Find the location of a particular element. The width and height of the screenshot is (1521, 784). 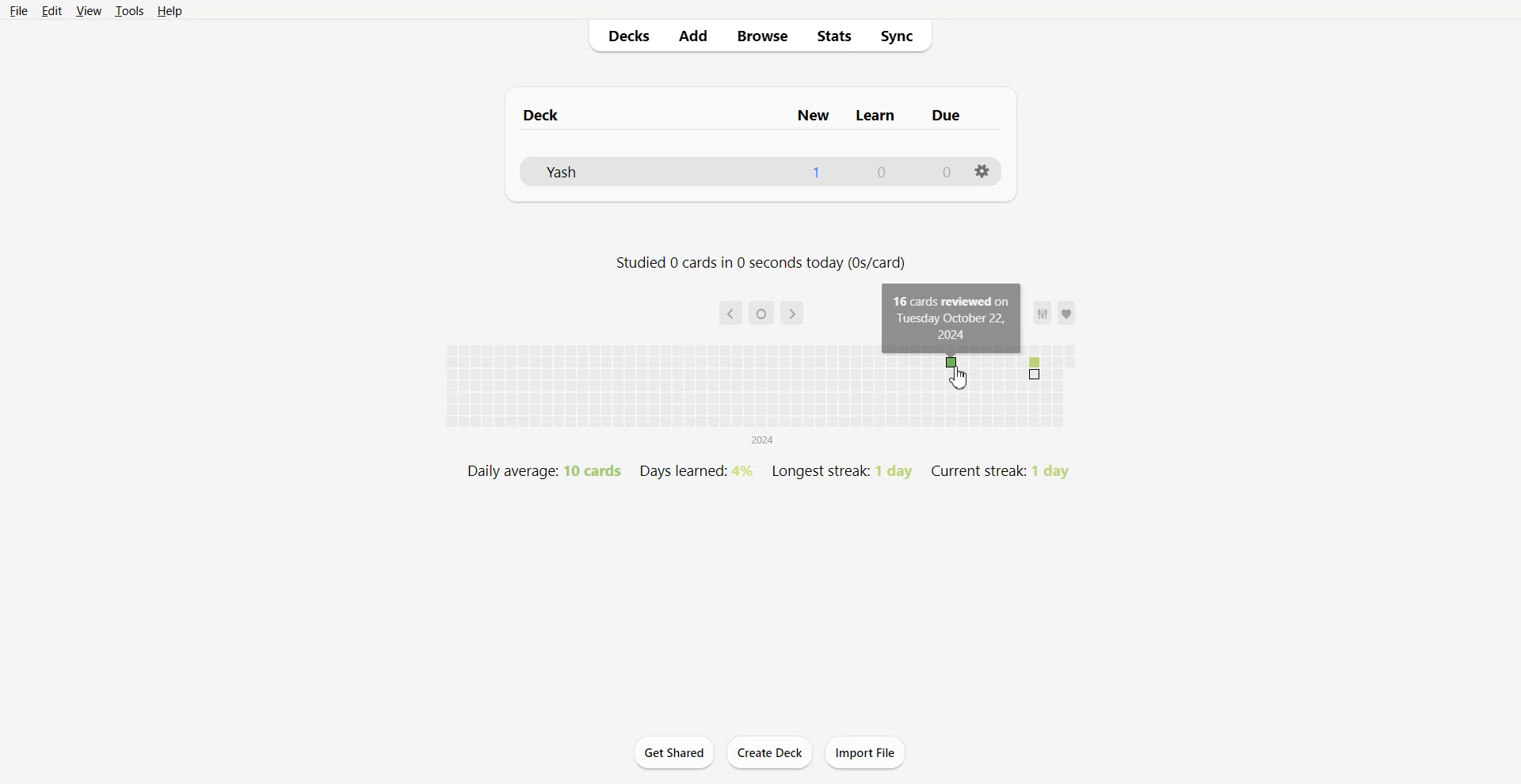

Cursor is located at coordinates (960, 377).